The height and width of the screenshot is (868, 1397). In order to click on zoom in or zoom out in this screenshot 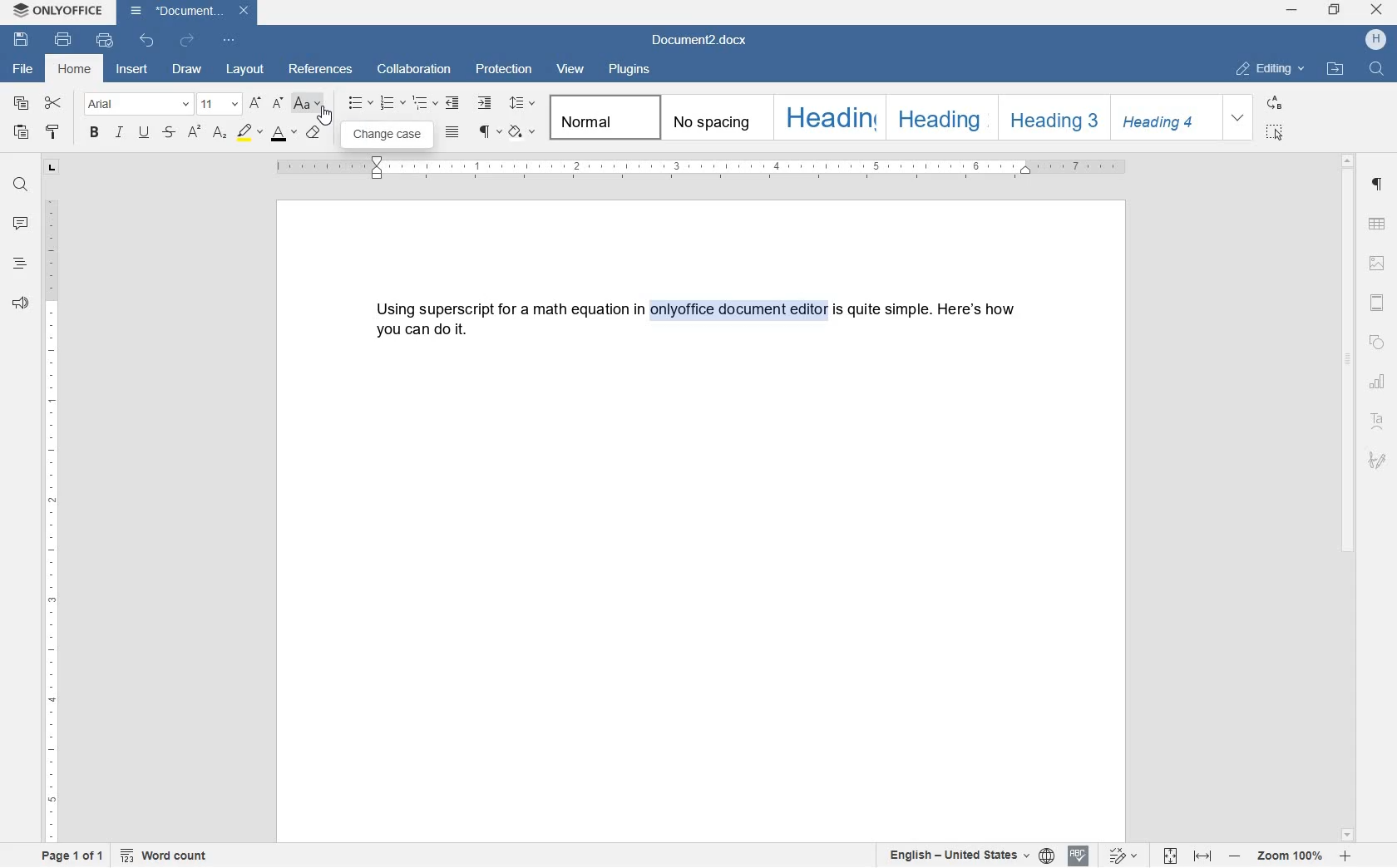, I will do `click(1291, 856)`.